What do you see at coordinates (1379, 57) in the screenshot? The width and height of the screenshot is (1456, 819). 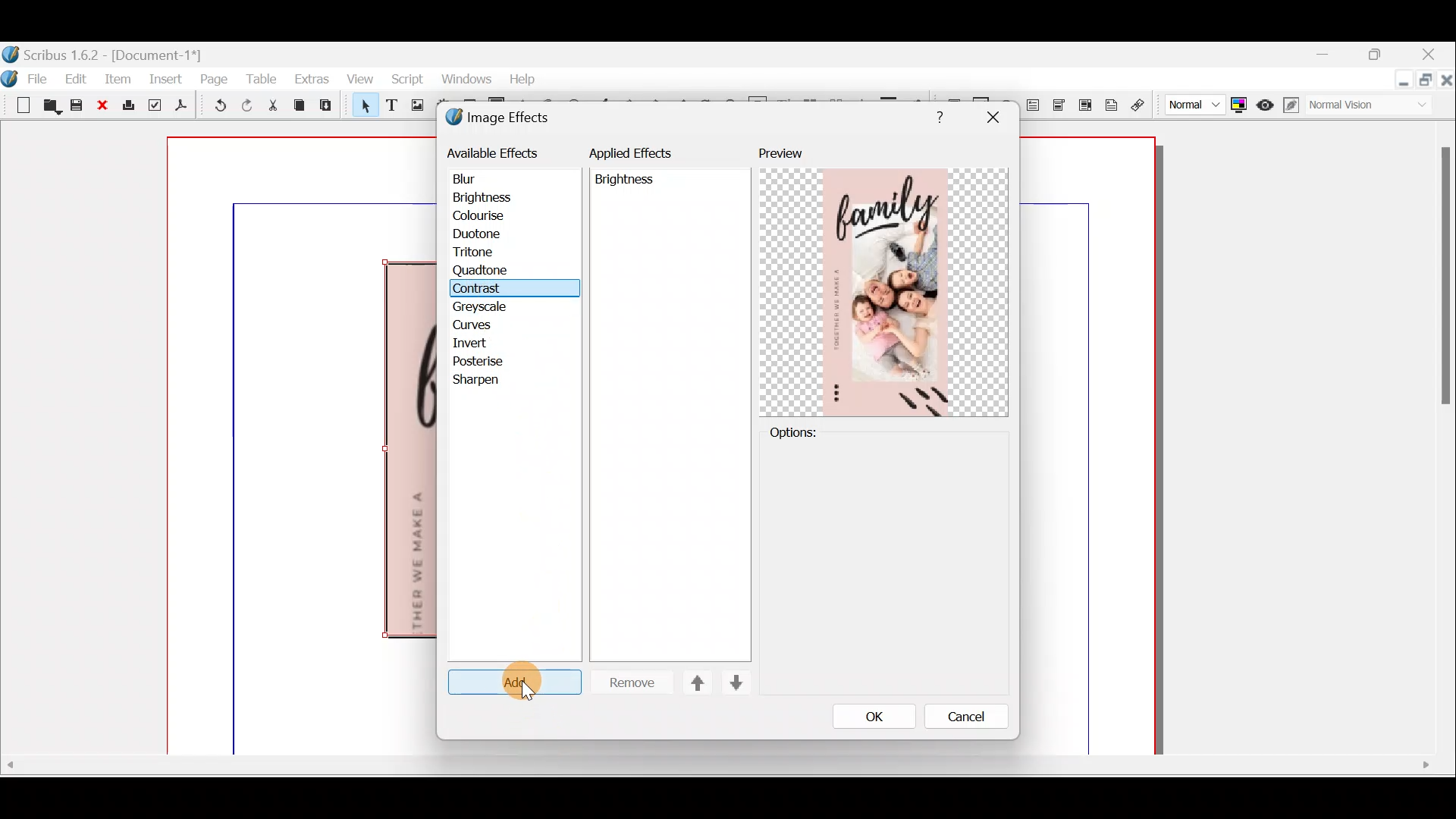 I see `maximise` at bounding box center [1379, 57].